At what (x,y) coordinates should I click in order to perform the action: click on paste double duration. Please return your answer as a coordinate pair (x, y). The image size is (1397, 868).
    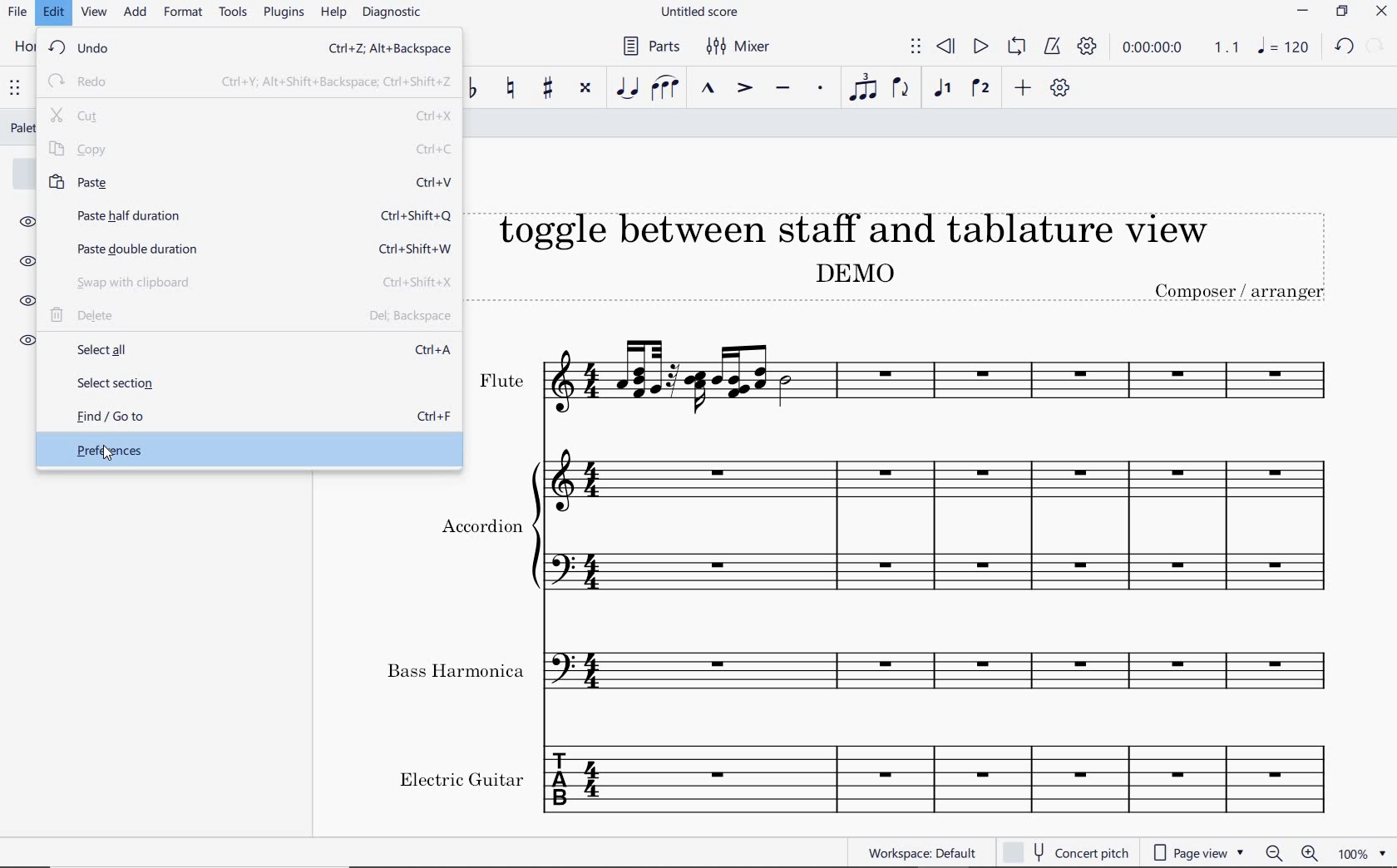
    Looking at the image, I should click on (249, 248).